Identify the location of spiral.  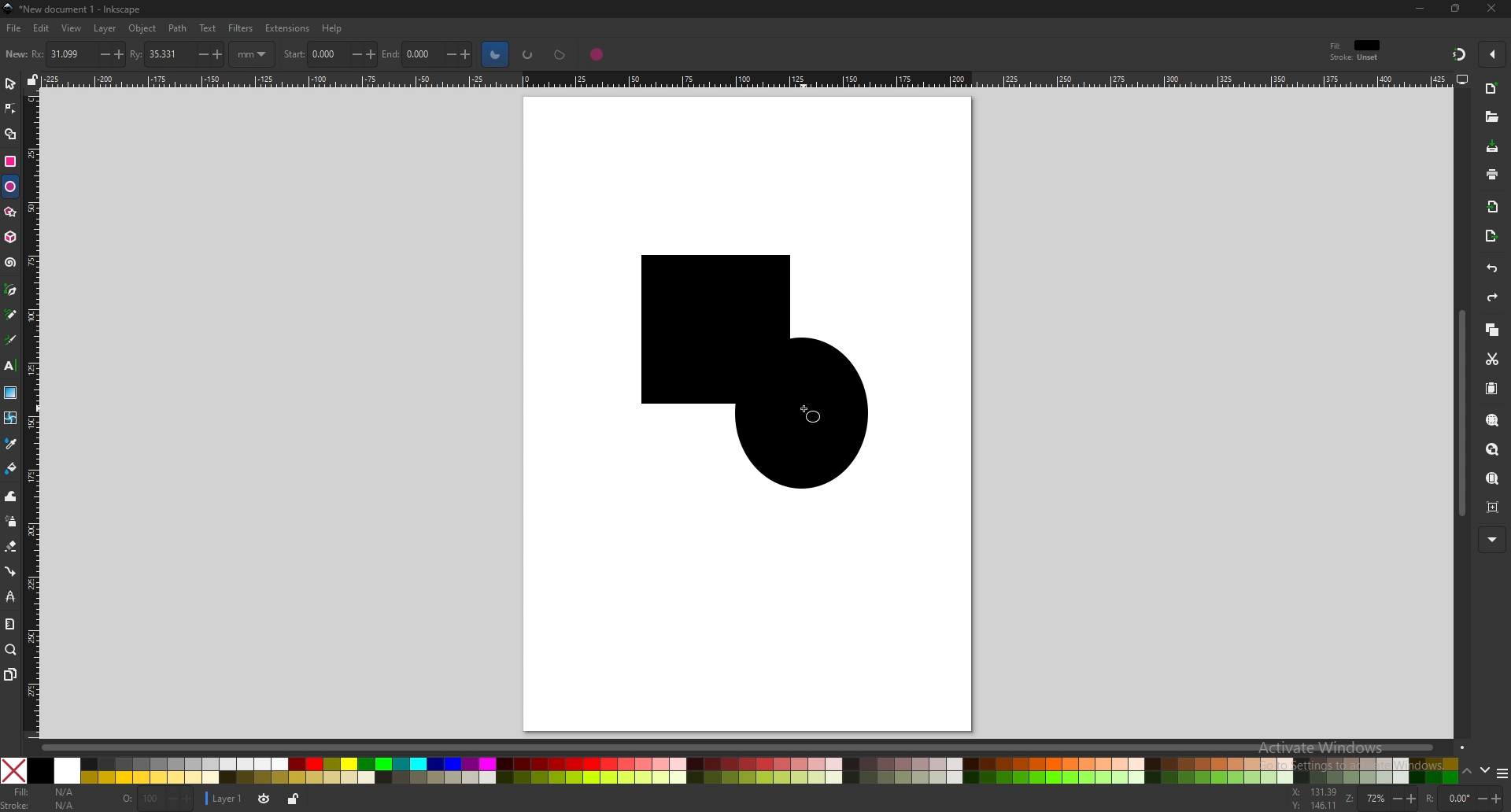
(11, 262).